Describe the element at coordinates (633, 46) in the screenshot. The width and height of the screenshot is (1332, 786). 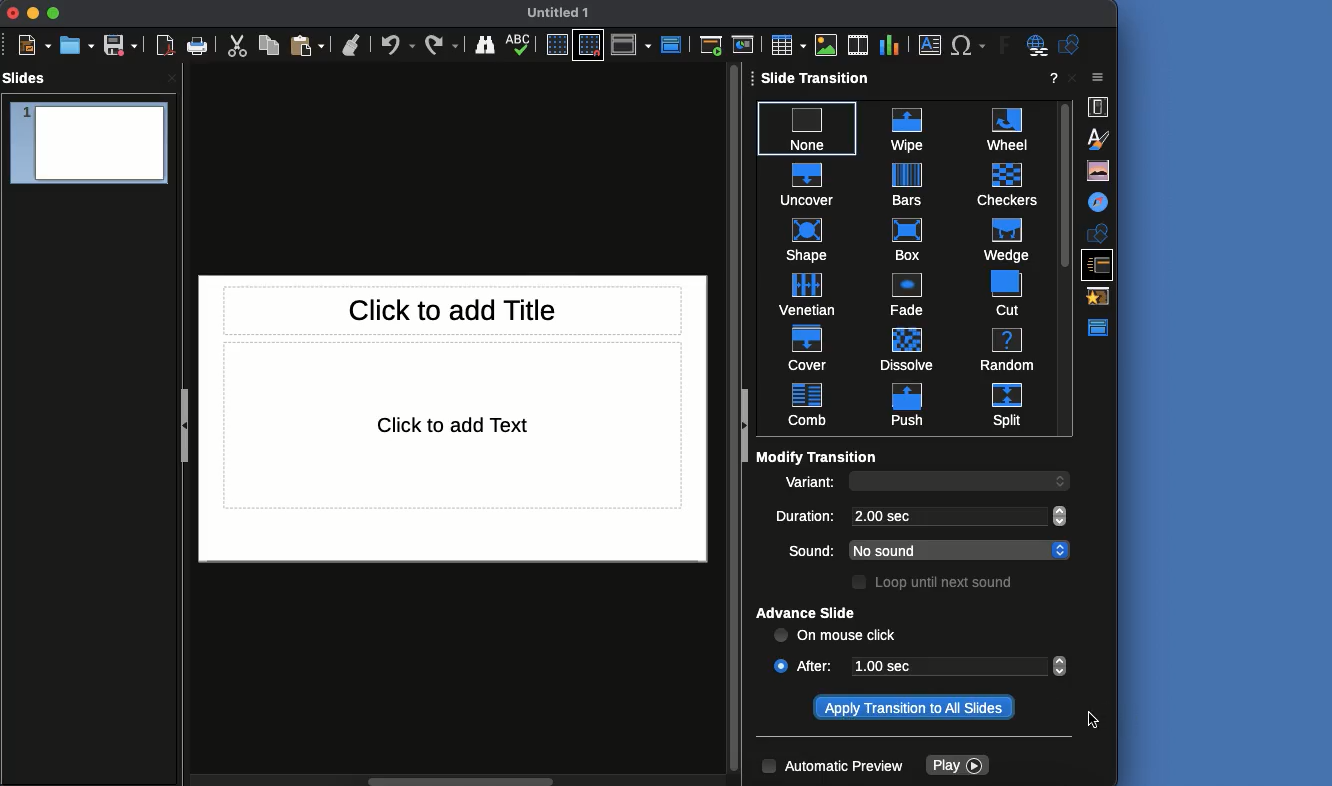
I see `Display views` at that location.